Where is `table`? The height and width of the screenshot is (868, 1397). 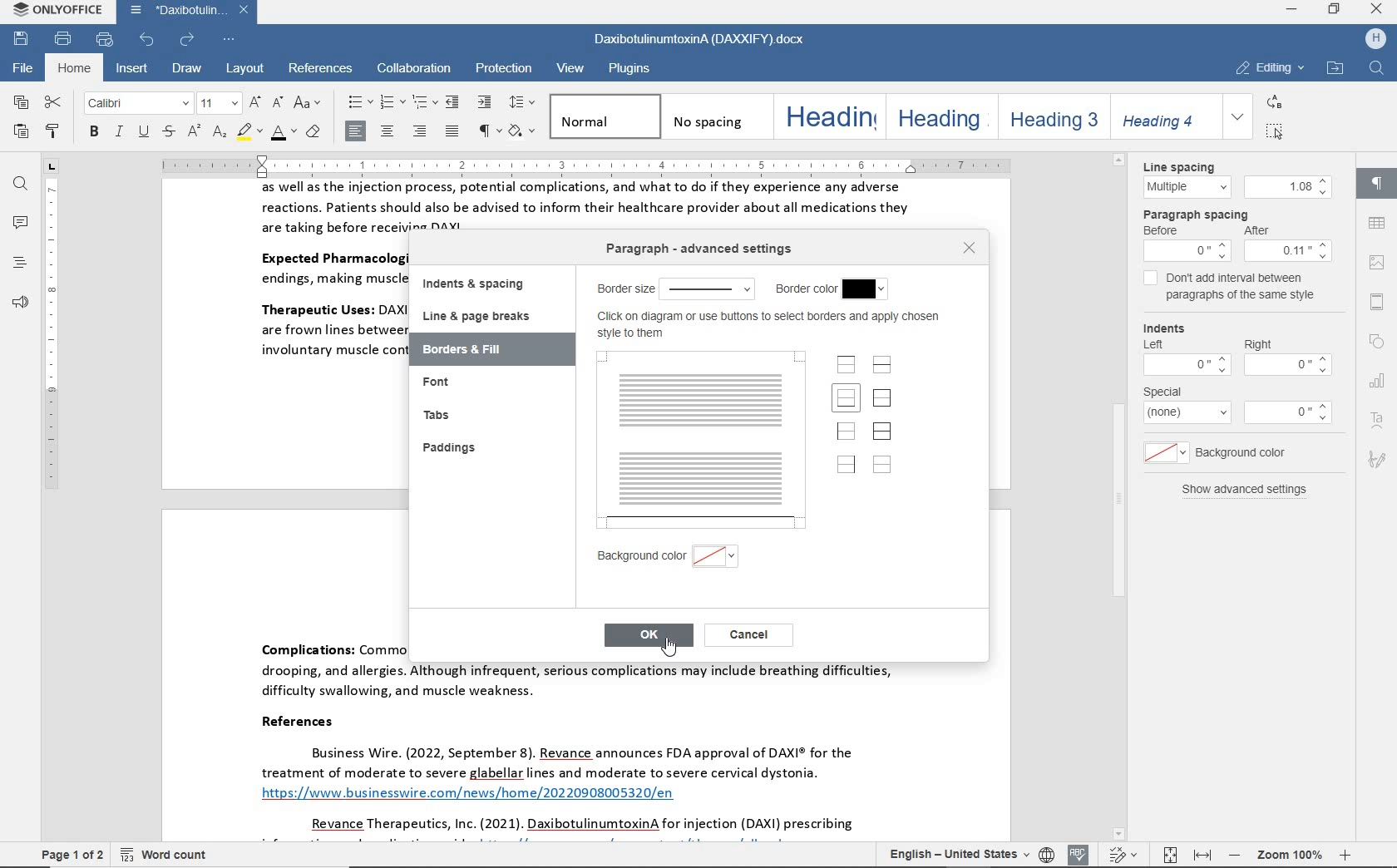
table is located at coordinates (1375, 224).